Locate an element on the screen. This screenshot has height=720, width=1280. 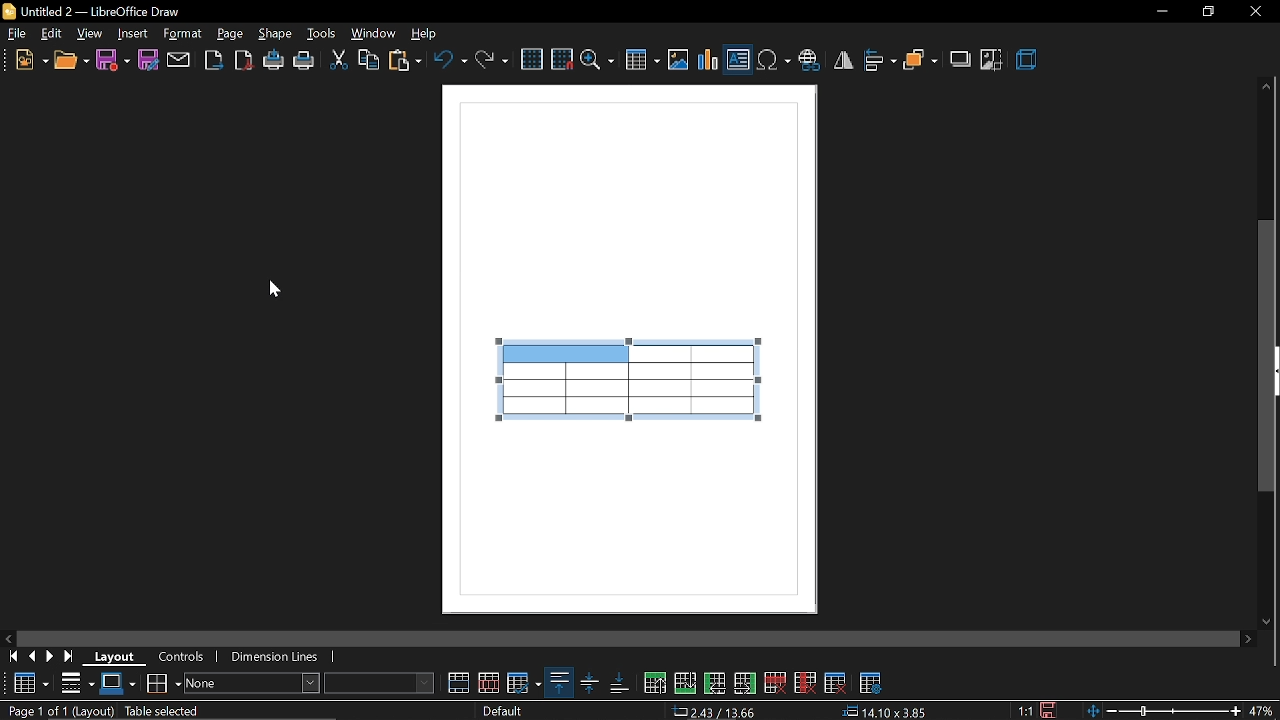
go to last page is located at coordinates (72, 657).